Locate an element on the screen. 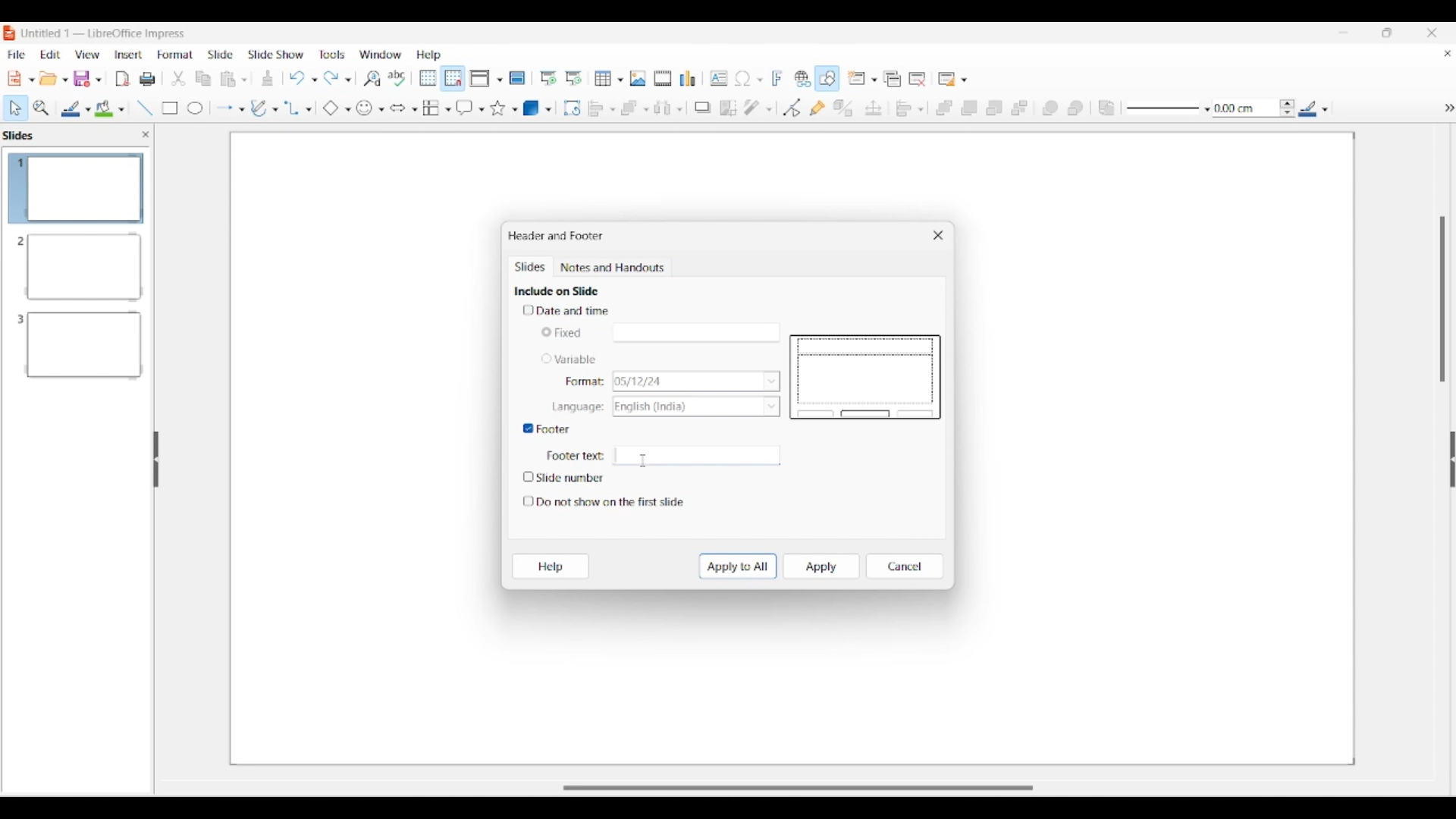  View menu is located at coordinates (88, 55).